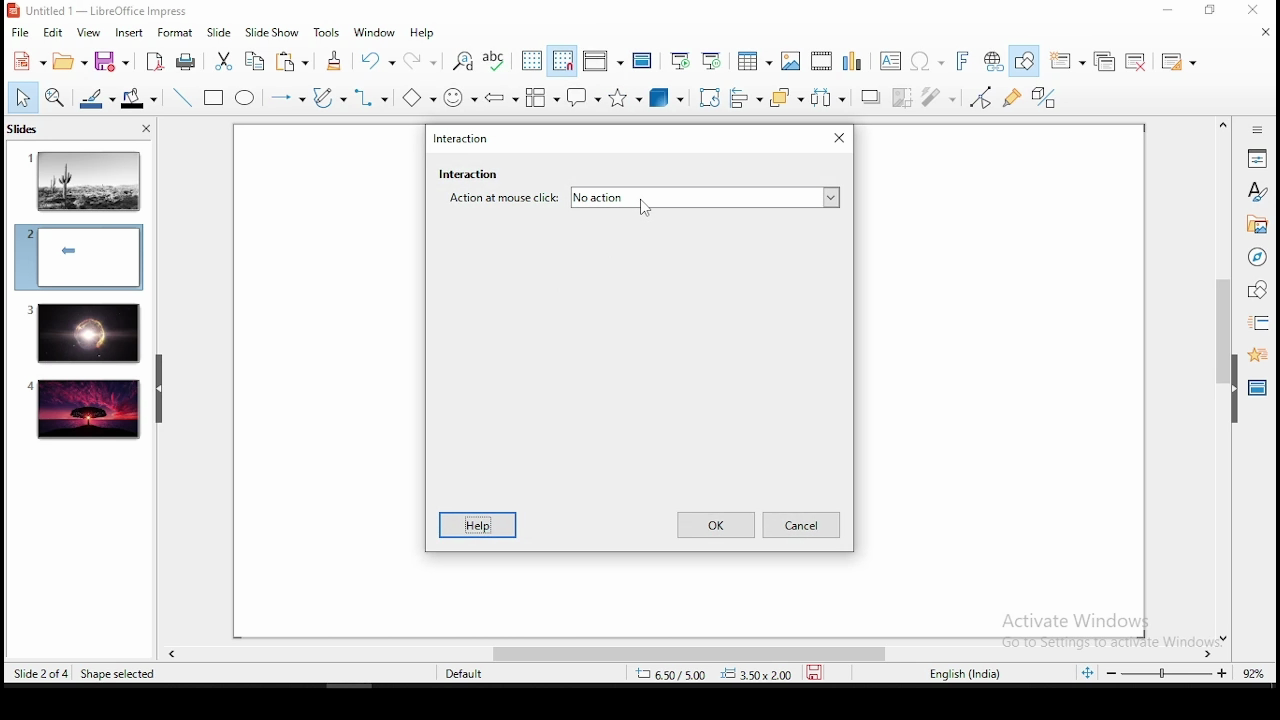  I want to click on charts, so click(852, 61).